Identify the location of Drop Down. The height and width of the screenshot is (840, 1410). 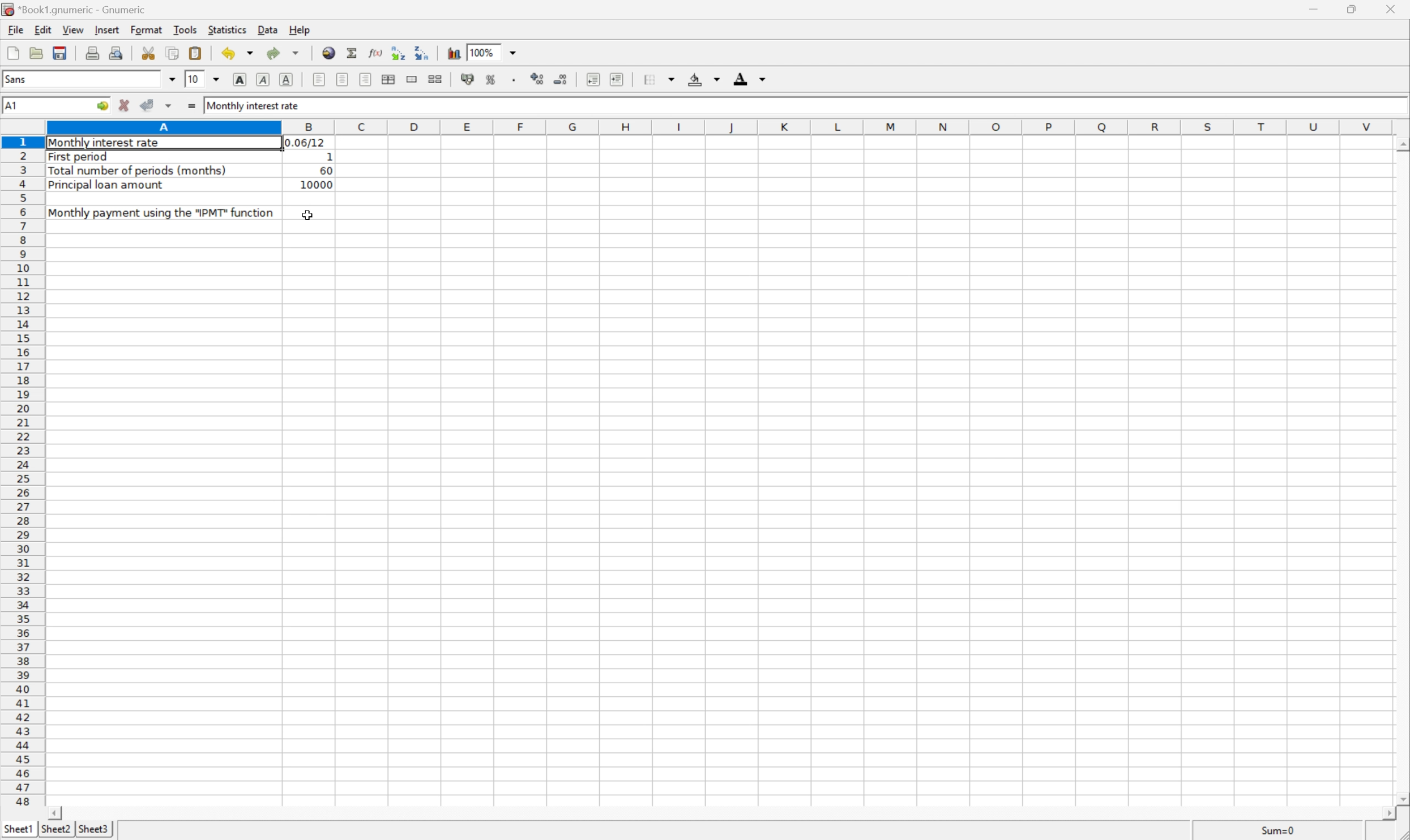
(218, 79).